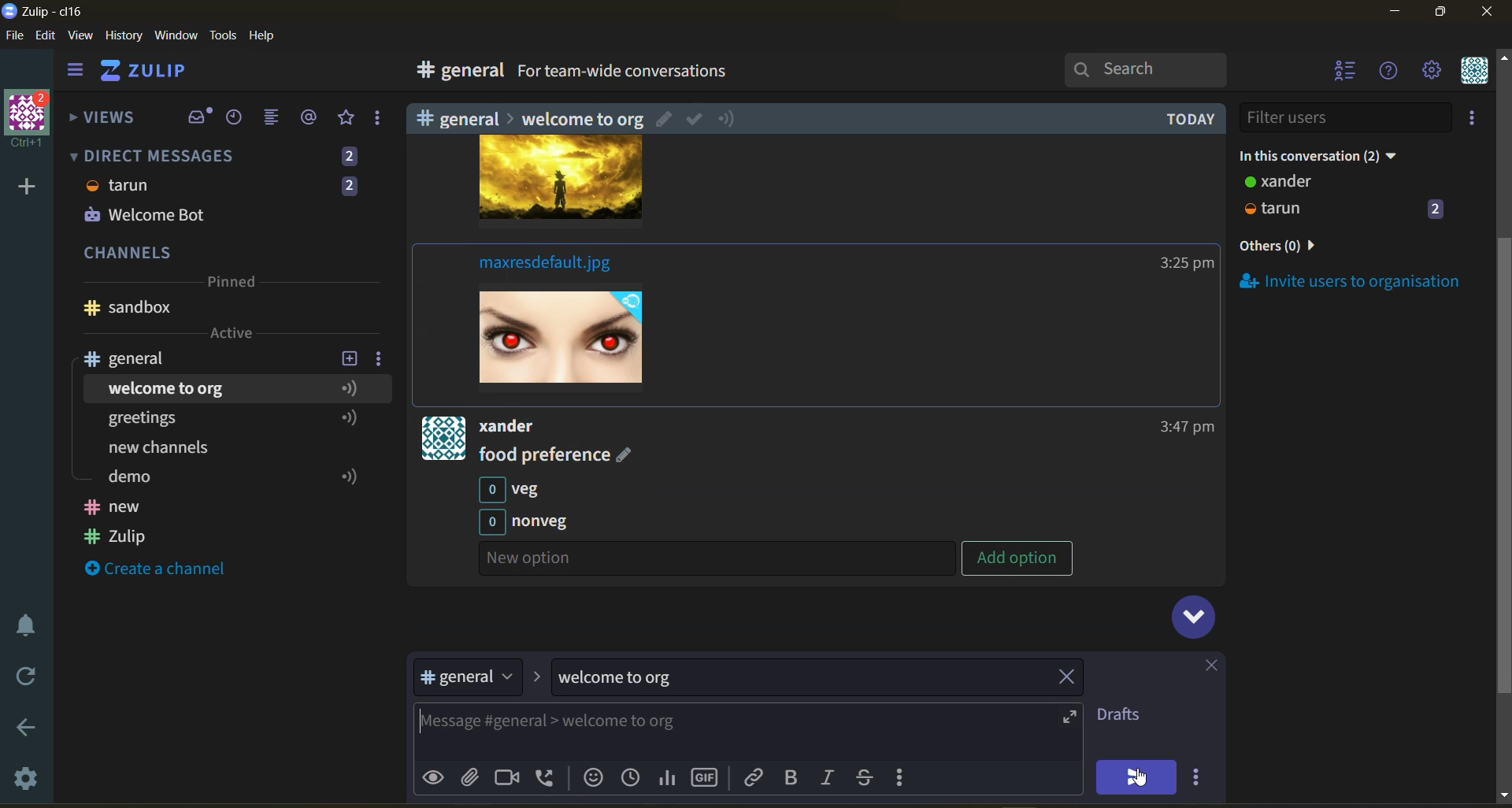 Image resolution: width=1512 pixels, height=808 pixels. Describe the element at coordinates (230, 284) in the screenshot. I see `pinned` at that location.